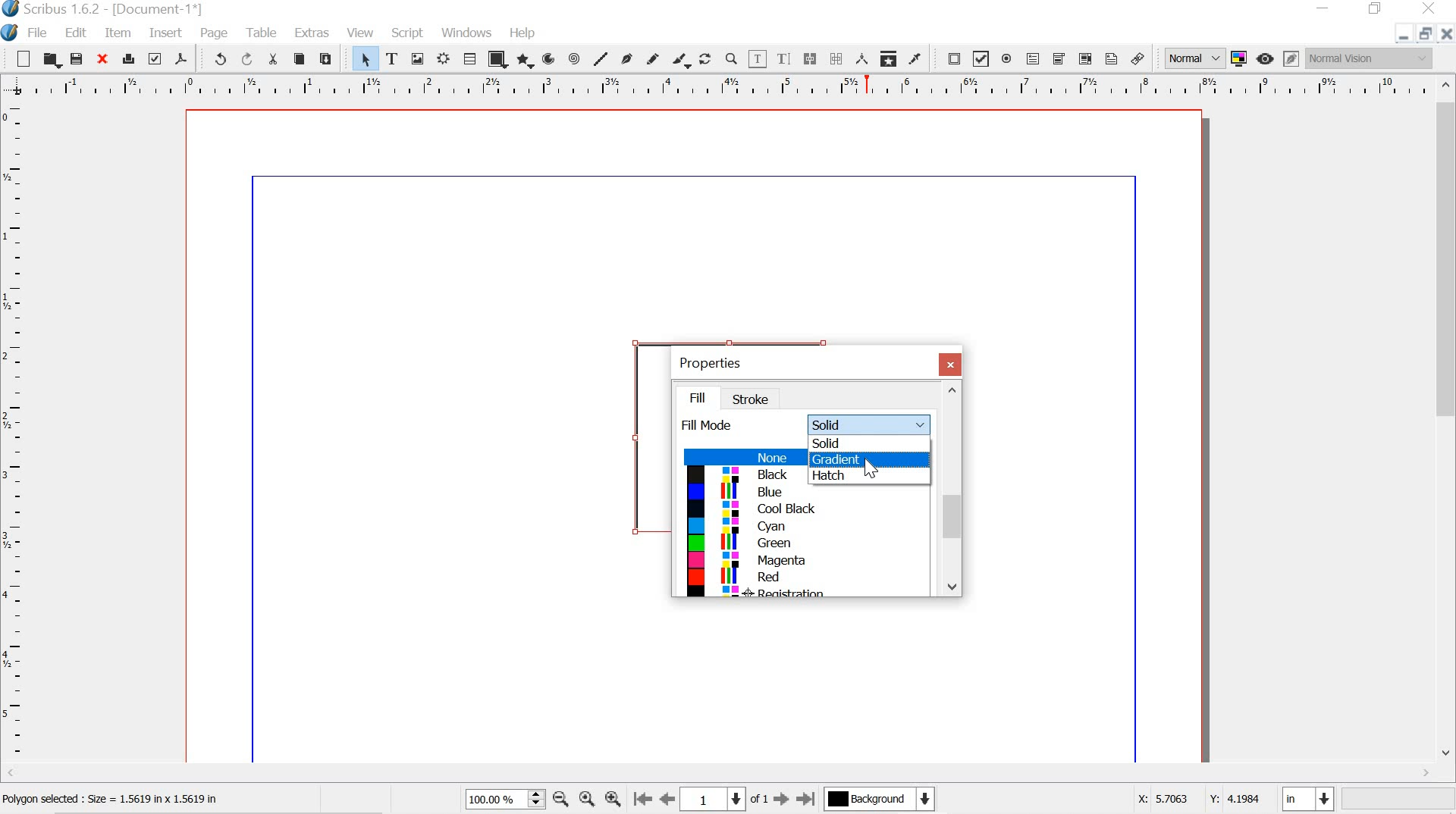  Describe the element at coordinates (156, 61) in the screenshot. I see `preflight verifier` at that location.